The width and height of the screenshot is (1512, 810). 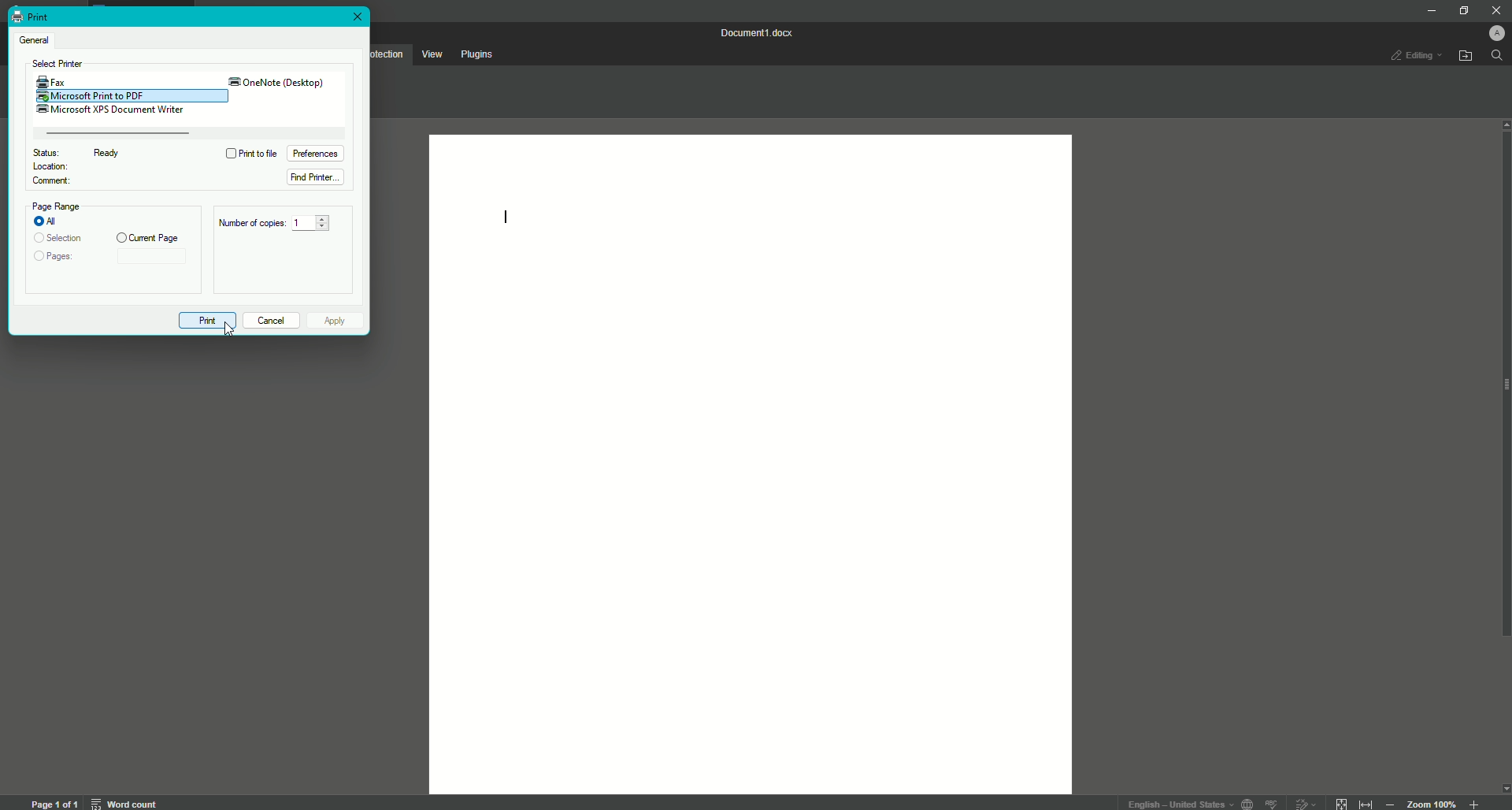 I want to click on fit to width, so click(x=1366, y=802).